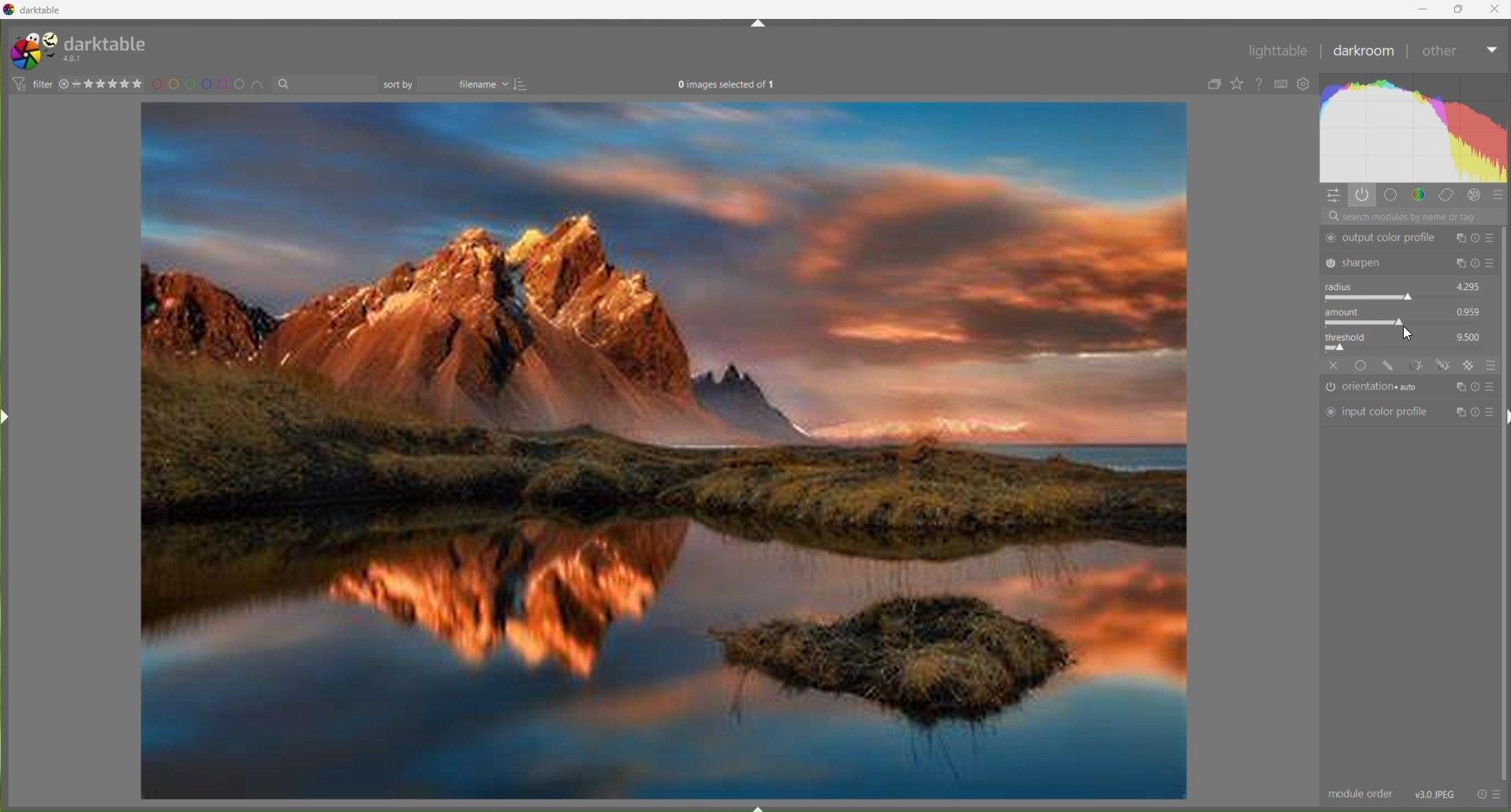 This screenshot has width=1511, height=812. What do you see at coordinates (1470, 311) in the screenshot?
I see `value` at bounding box center [1470, 311].